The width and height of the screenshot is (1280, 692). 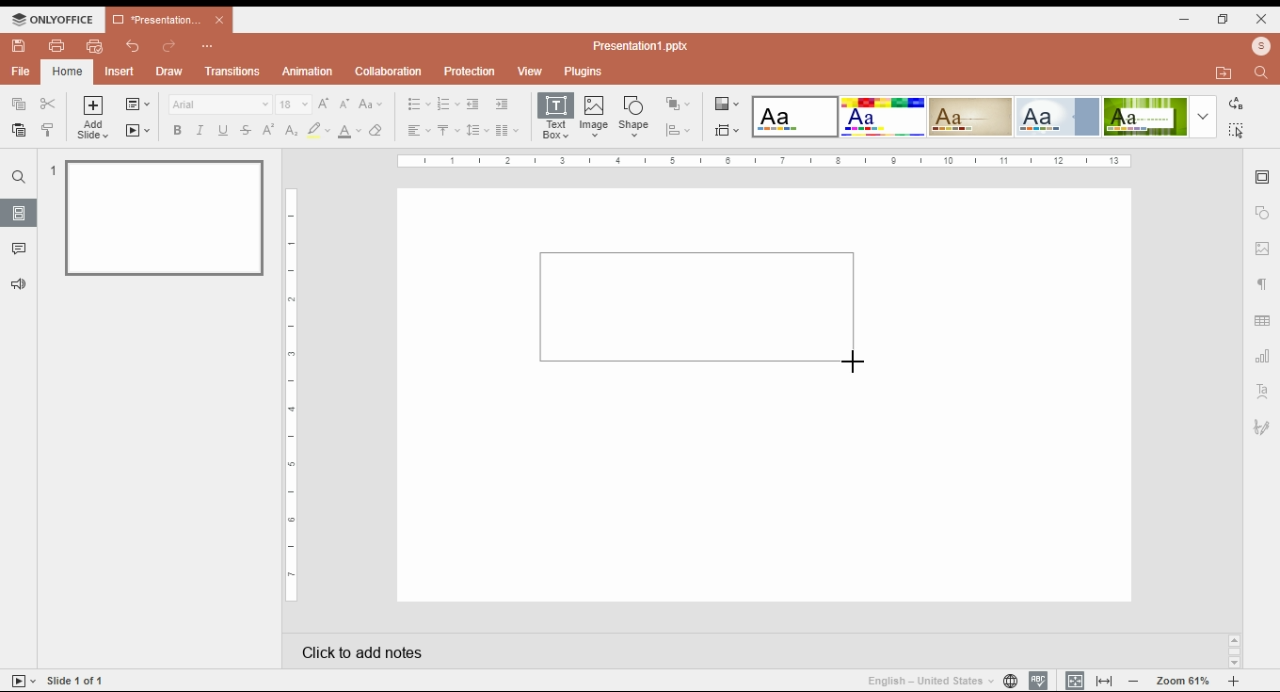 I want to click on customize quick access, so click(x=209, y=47).